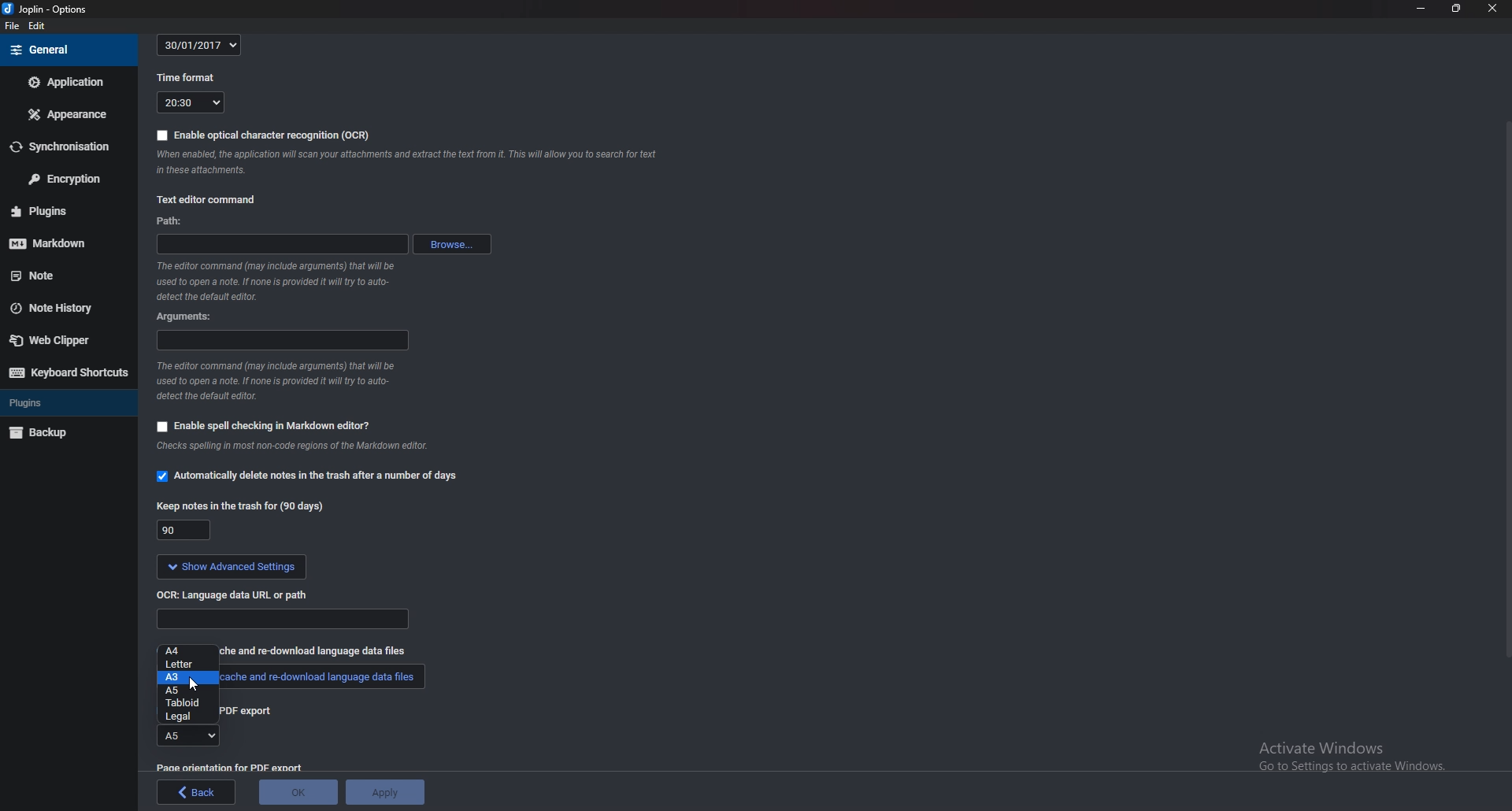 Image resolution: width=1512 pixels, height=811 pixels. What do you see at coordinates (240, 508) in the screenshot?
I see `Keep notes in the trash for` at bounding box center [240, 508].